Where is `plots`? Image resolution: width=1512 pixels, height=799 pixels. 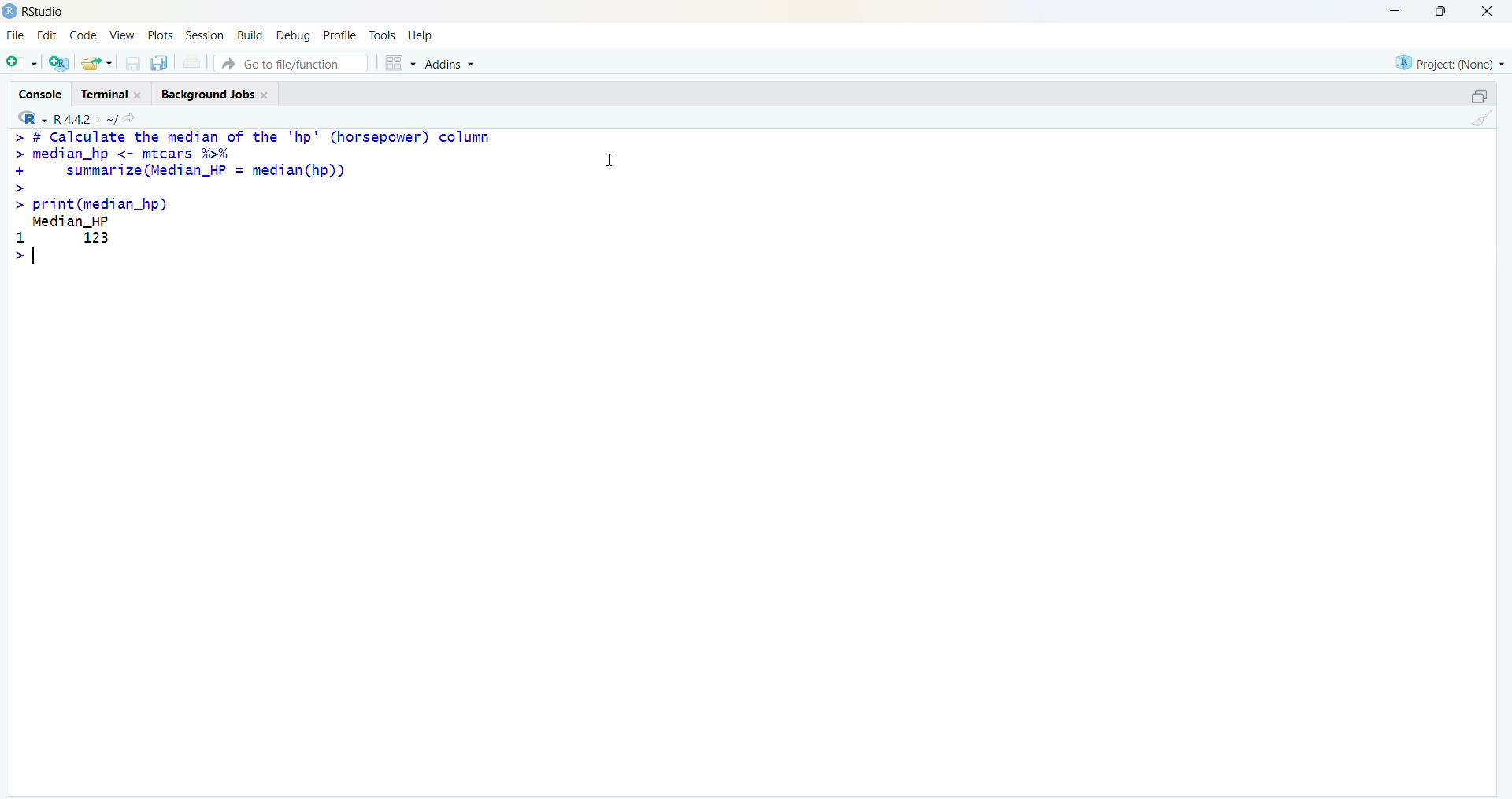
plots is located at coordinates (160, 35).